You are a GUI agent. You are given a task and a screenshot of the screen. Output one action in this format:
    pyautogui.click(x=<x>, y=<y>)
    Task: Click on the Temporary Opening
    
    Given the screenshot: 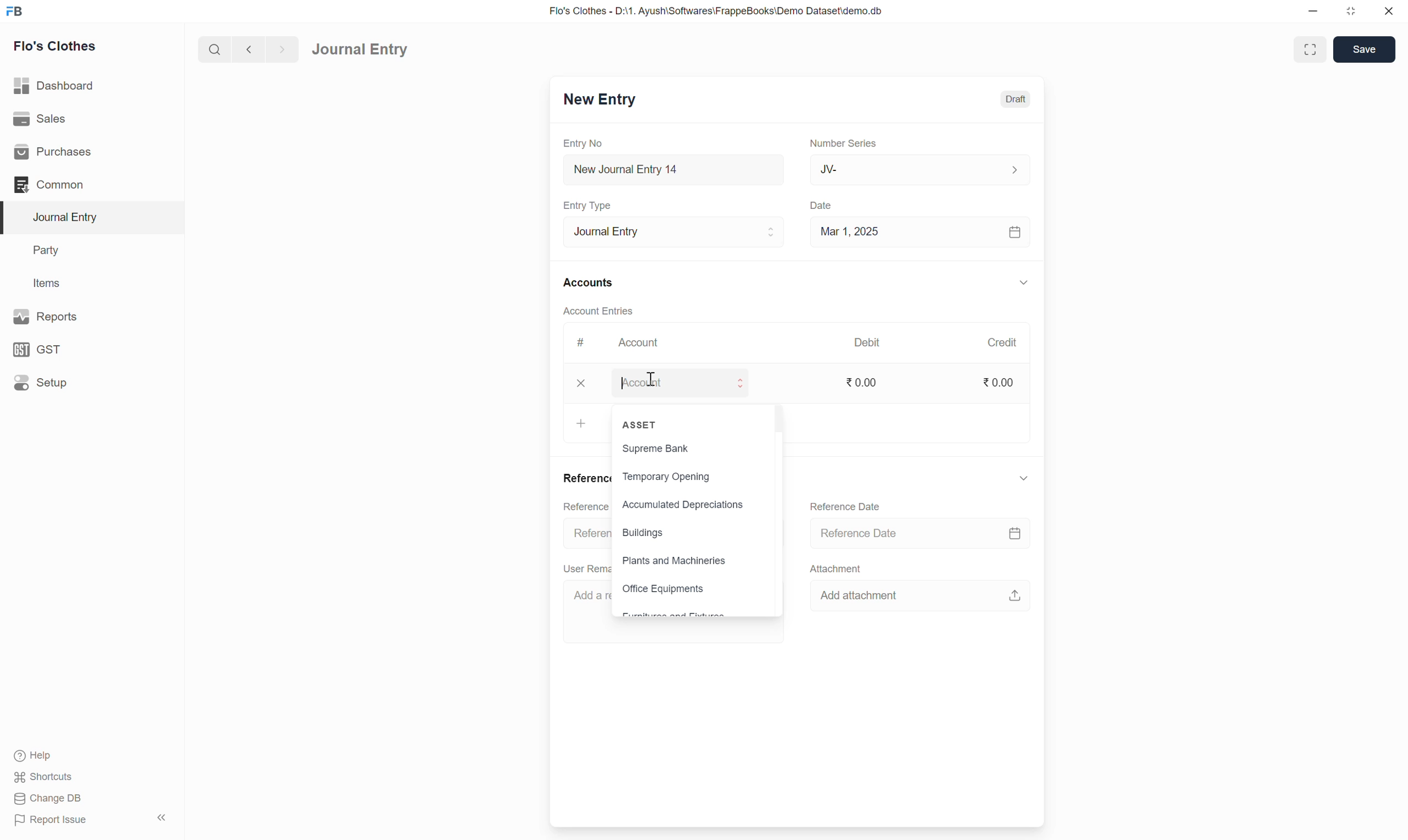 What is the action you would take?
    pyautogui.click(x=668, y=477)
    